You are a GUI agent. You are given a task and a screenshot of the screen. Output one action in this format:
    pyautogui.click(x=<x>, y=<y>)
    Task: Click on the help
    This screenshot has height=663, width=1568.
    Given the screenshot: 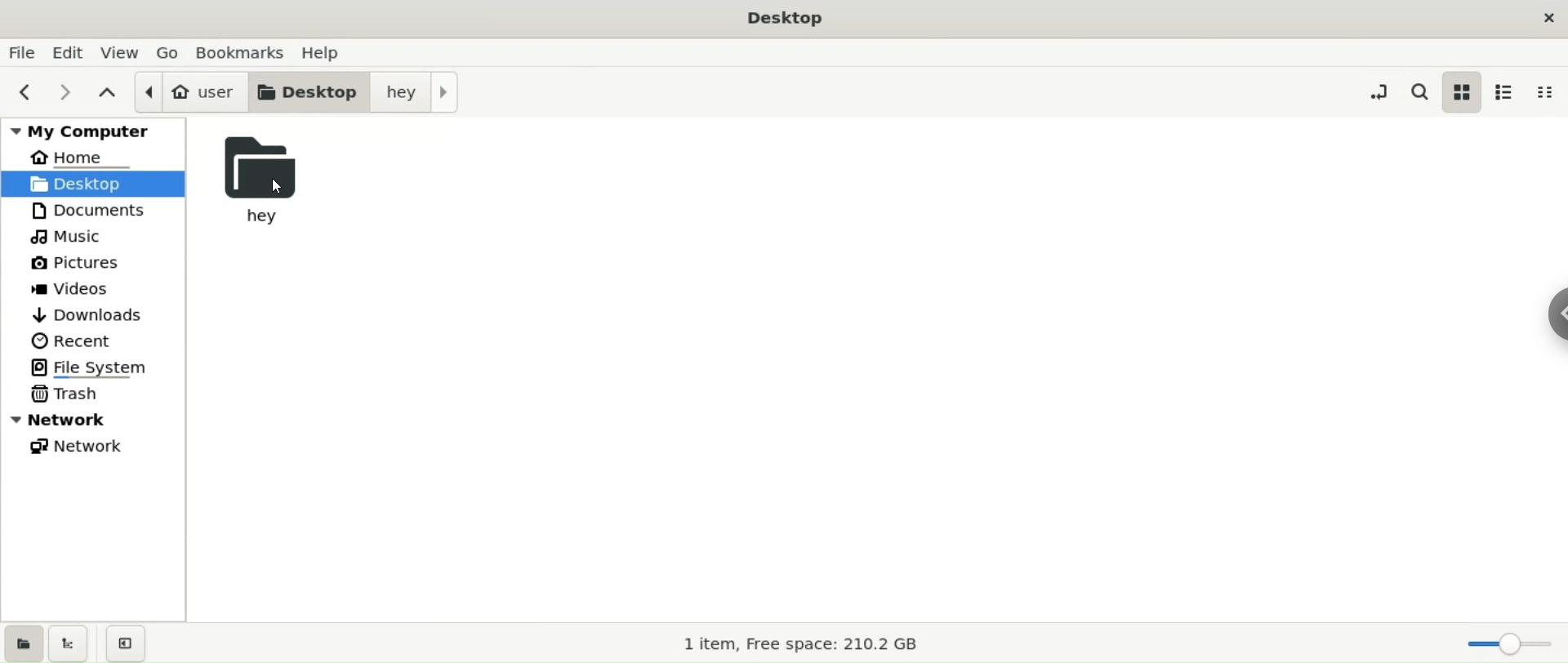 What is the action you would take?
    pyautogui.click(x=326, y=52)
    